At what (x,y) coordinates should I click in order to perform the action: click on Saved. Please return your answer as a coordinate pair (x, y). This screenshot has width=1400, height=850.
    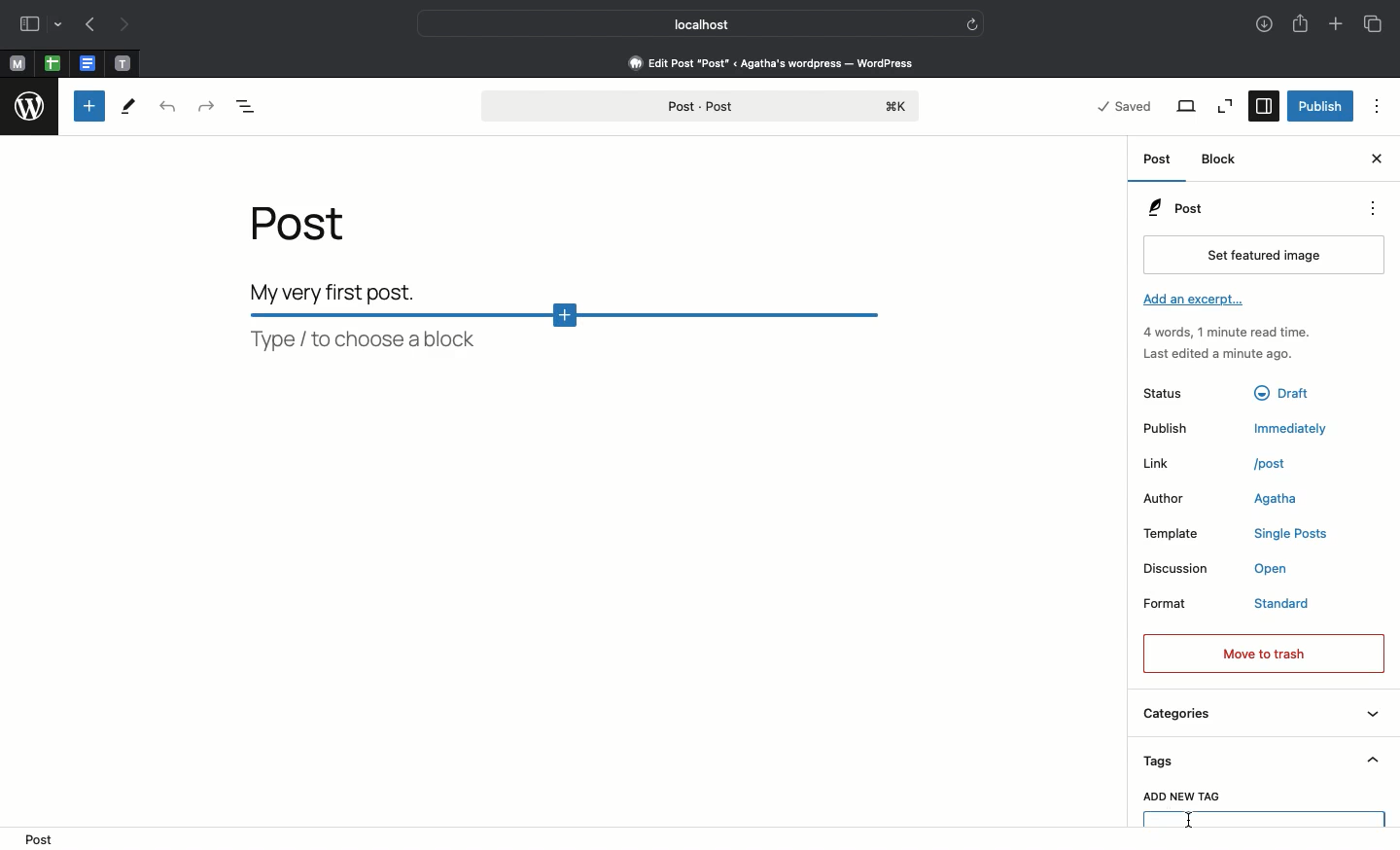
    Looking at the image, I should click on (1128, 106).